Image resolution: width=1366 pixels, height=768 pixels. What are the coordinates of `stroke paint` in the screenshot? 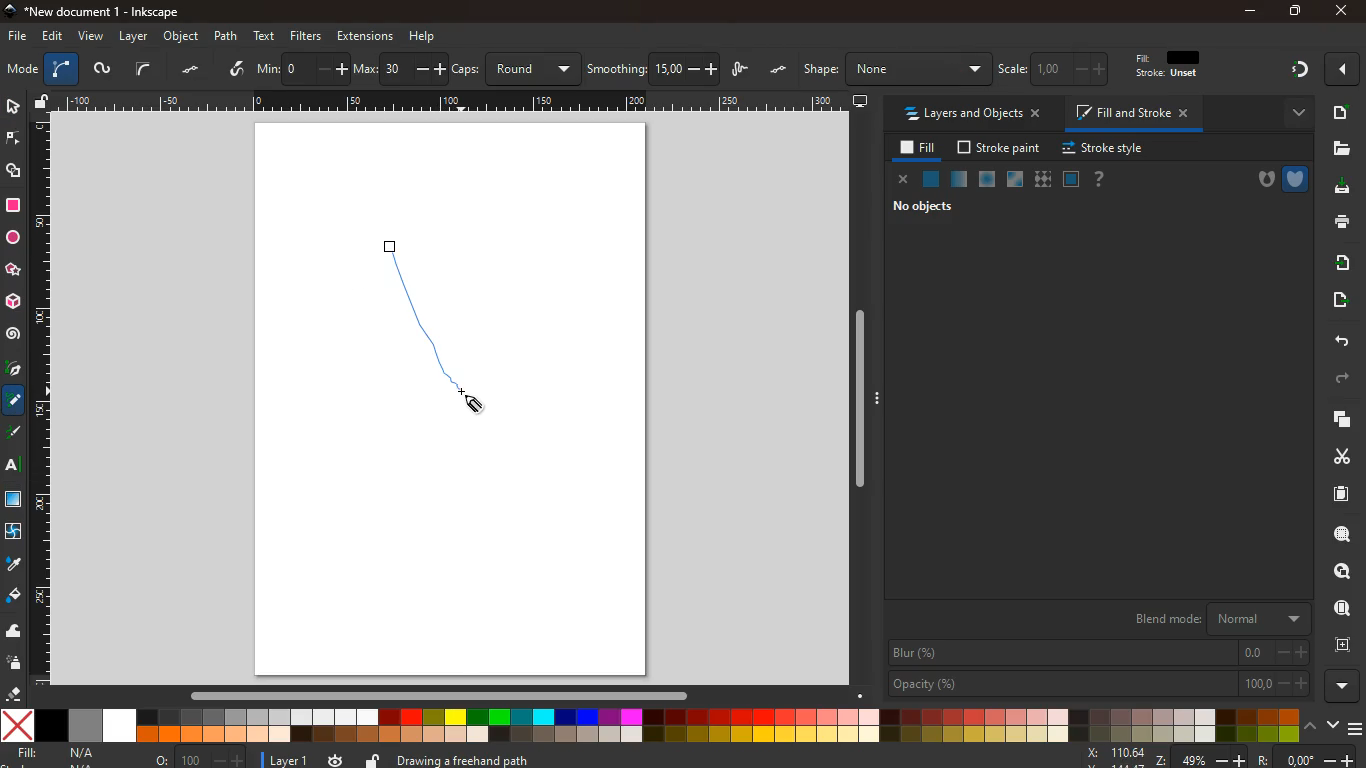 It's located at (1001, 148).